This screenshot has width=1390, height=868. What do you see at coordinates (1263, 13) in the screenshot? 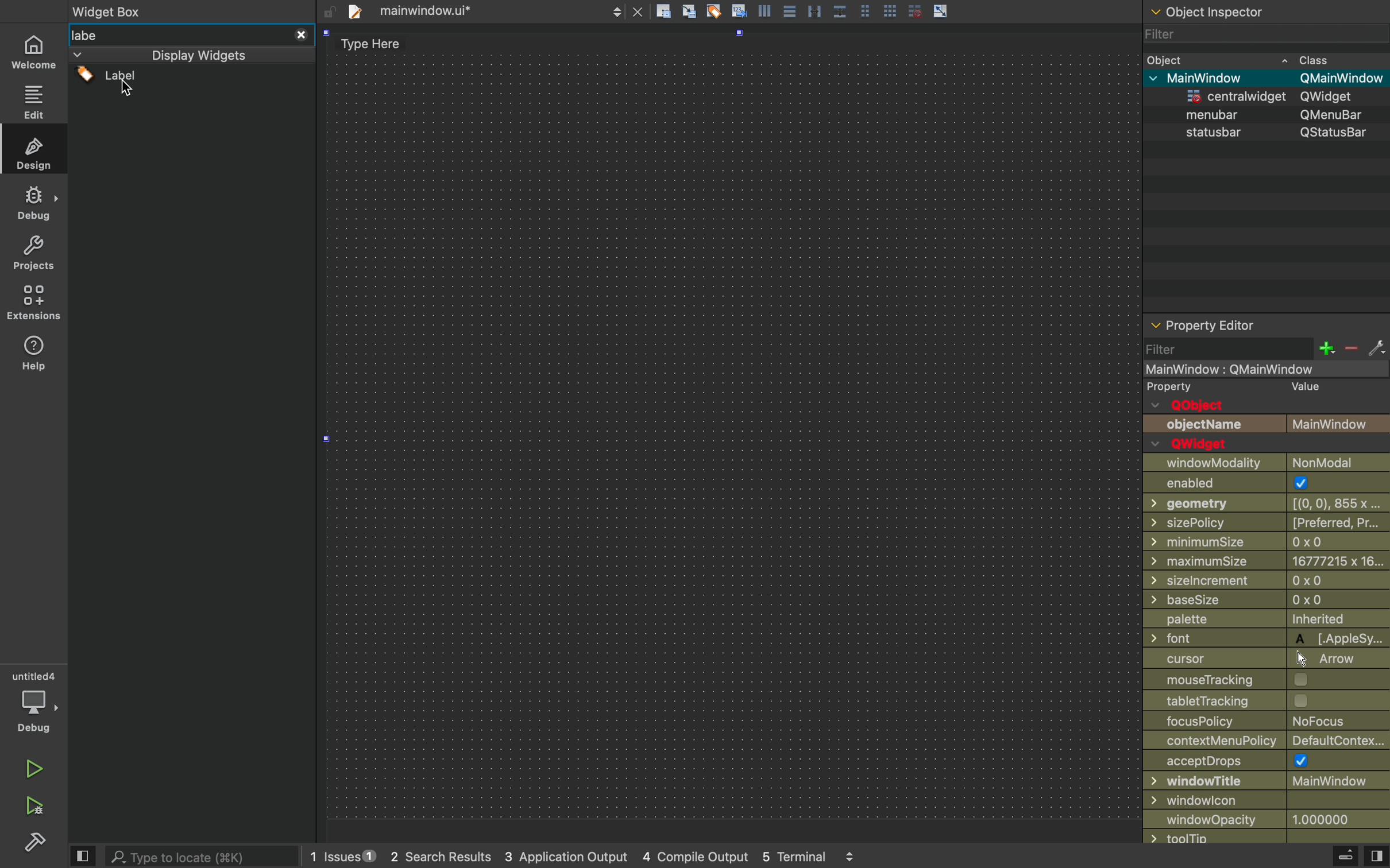
I see `object section` at bounding box center [1263, 13].